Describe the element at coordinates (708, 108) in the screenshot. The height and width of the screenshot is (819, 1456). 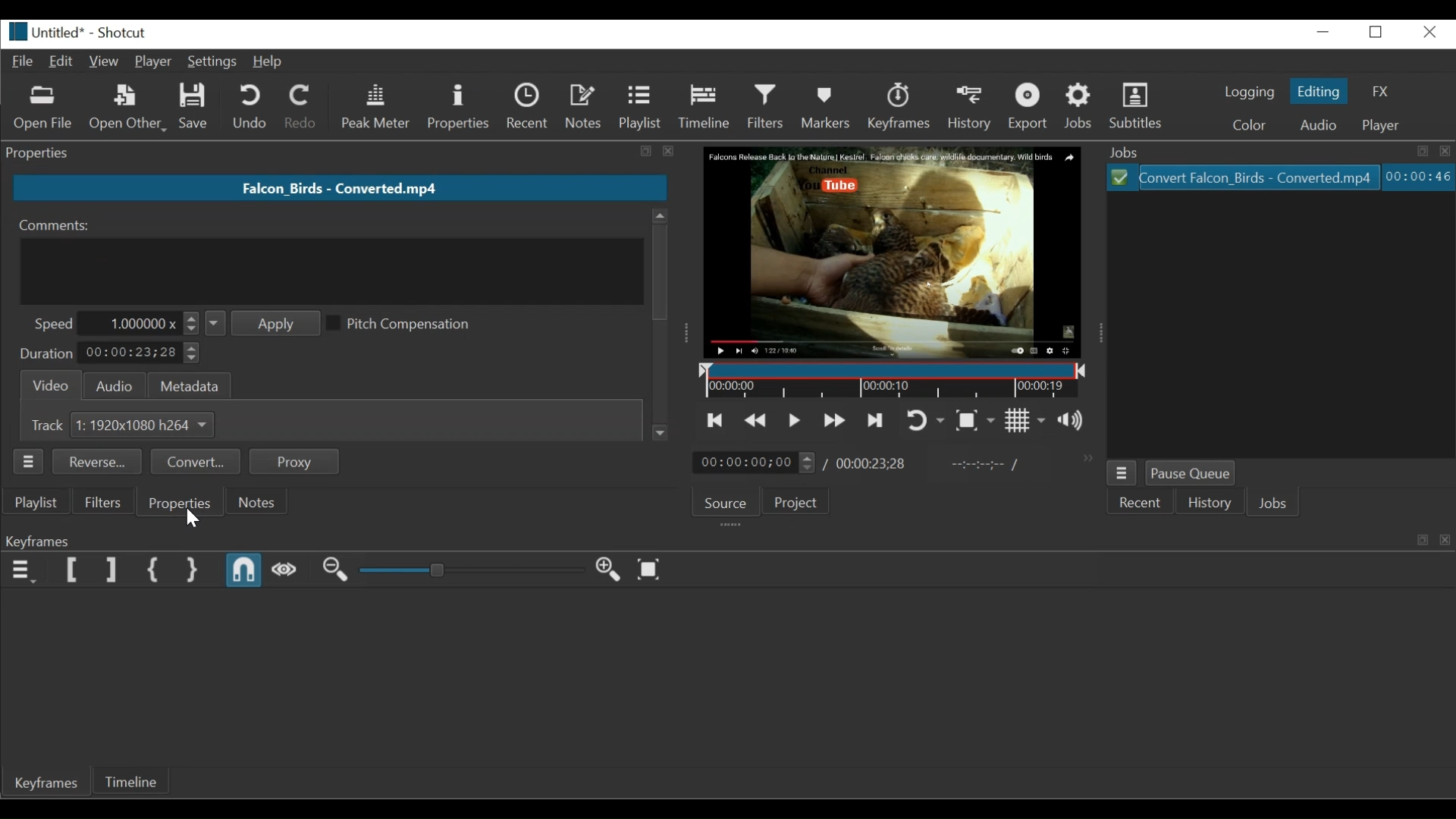
I see `Timeline` at that location.